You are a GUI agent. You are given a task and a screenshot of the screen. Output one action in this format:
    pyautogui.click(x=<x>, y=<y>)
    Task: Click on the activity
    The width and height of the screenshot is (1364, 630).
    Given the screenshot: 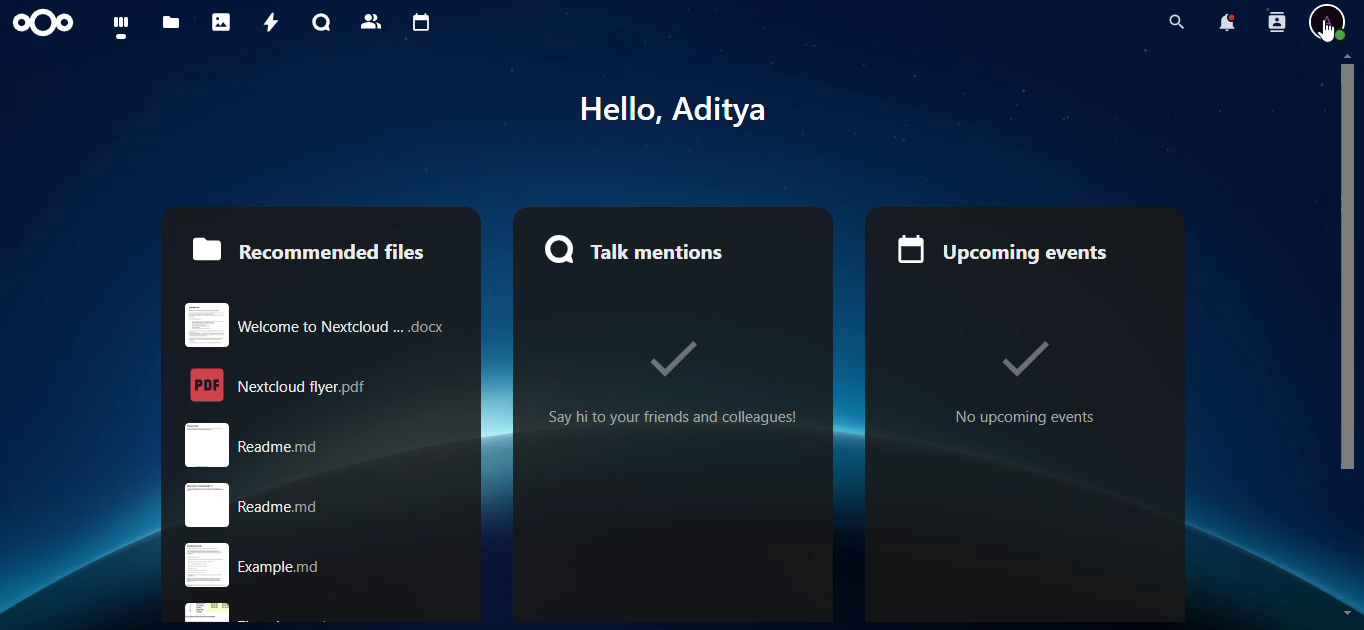 What is the action you would take?
    pyautogui.click(x=266, y=22)
    